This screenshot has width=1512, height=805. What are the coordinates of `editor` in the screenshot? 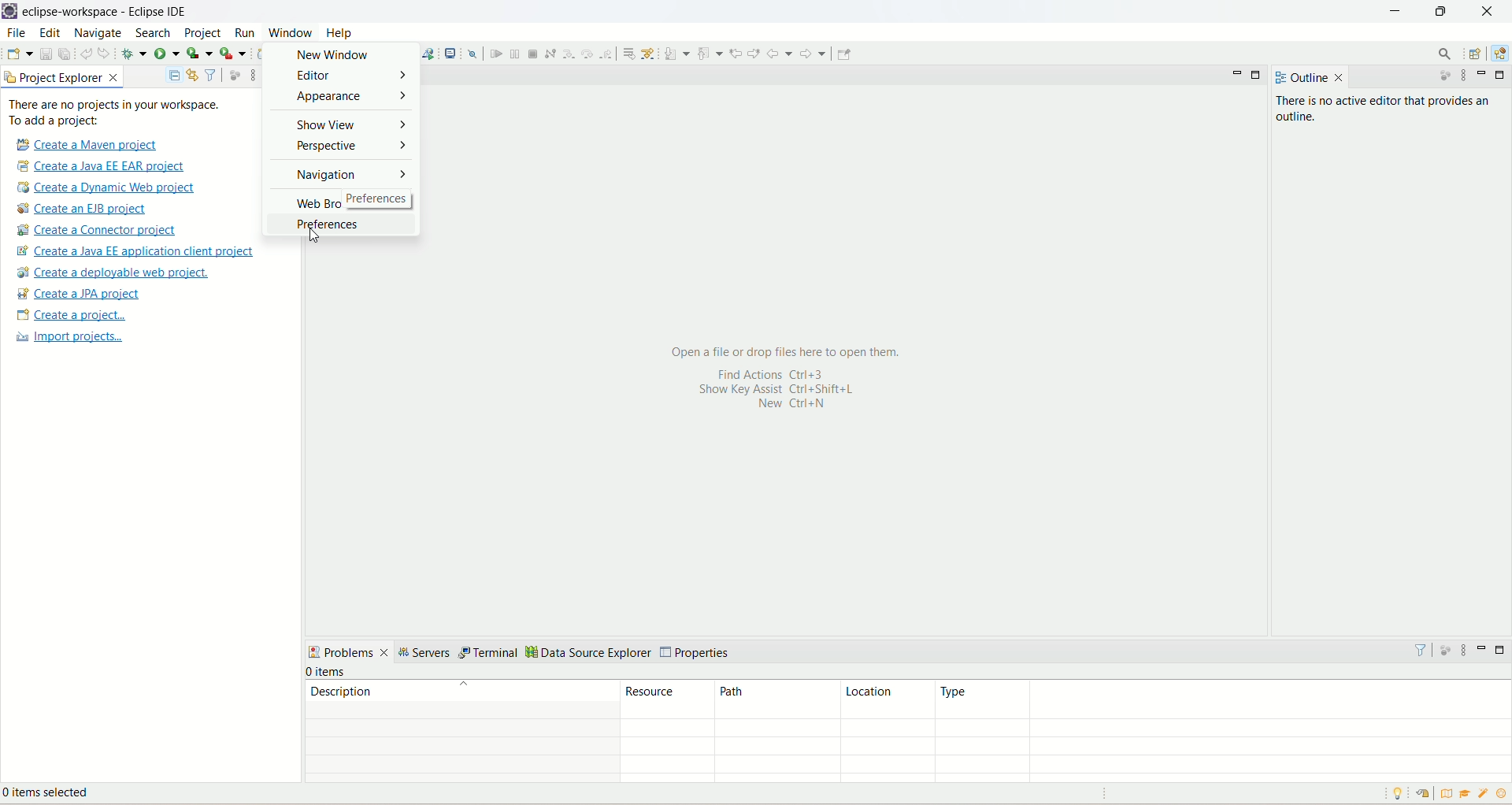 It's located at (344, 76).